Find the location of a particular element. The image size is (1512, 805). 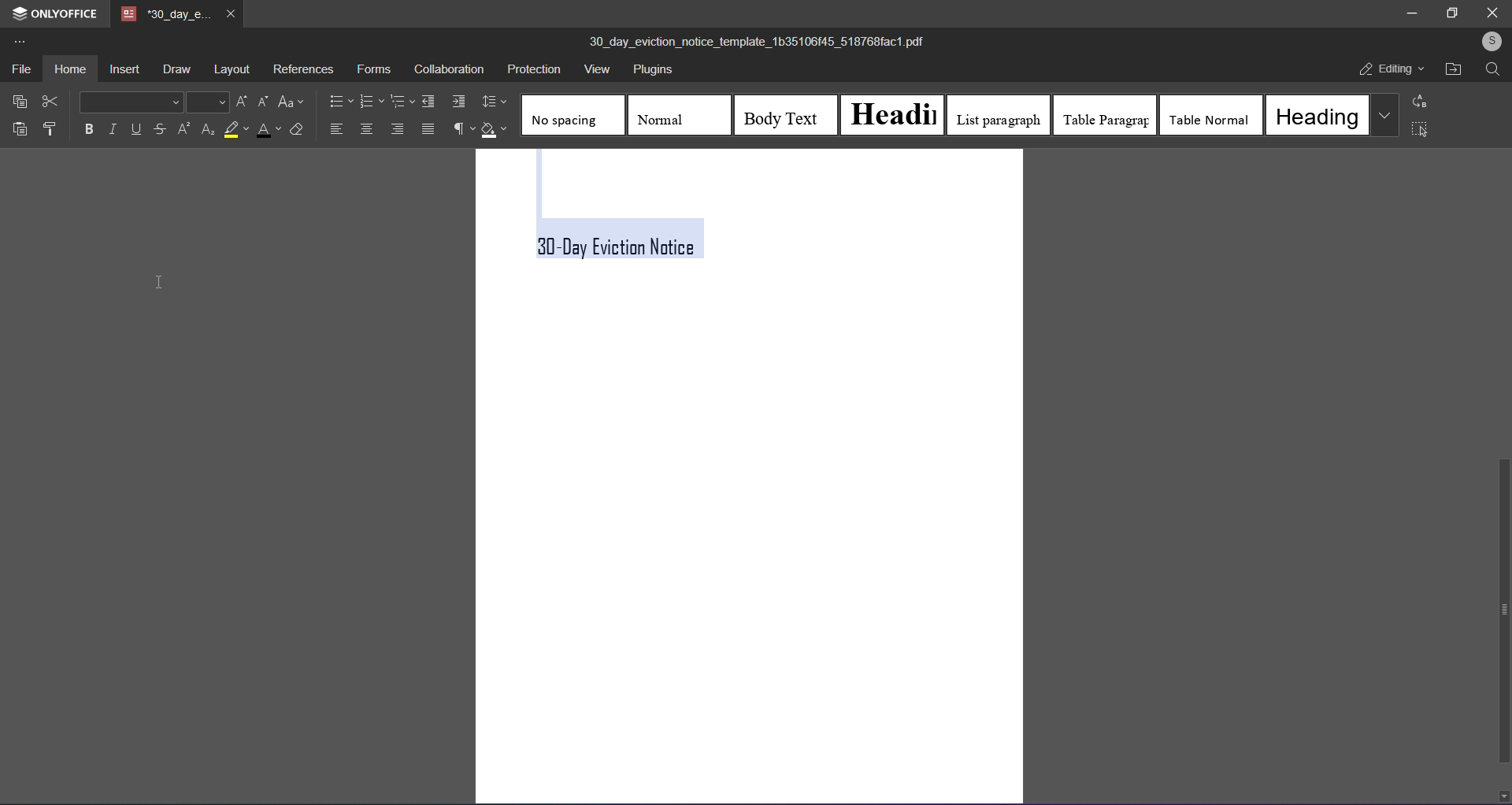

clear style is located at coordinates (297, 129).